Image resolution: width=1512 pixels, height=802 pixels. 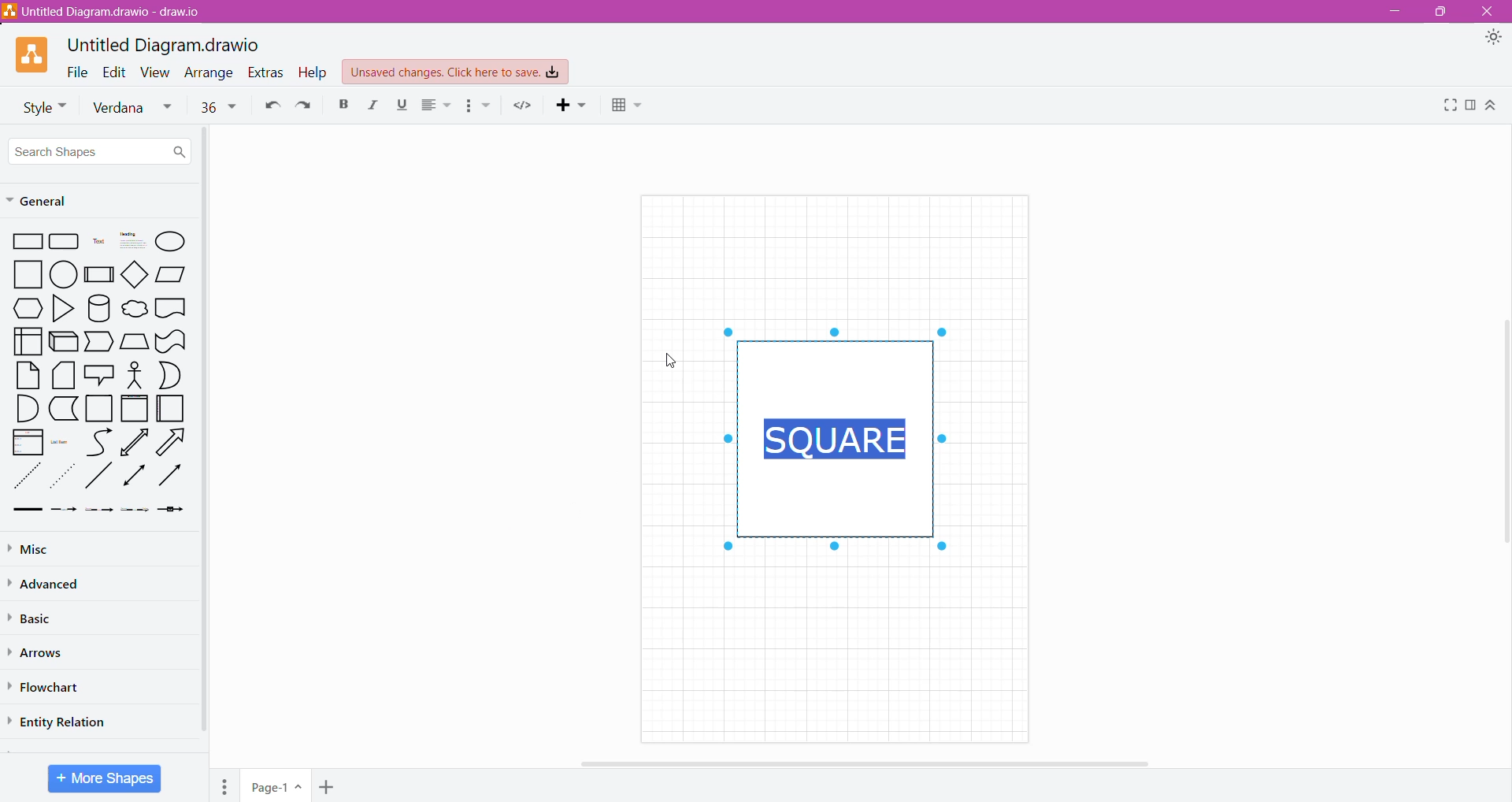 What do you see at coordinates (133, 241) in the screenshot?
I see `heading` at bounding box center [133, 241].